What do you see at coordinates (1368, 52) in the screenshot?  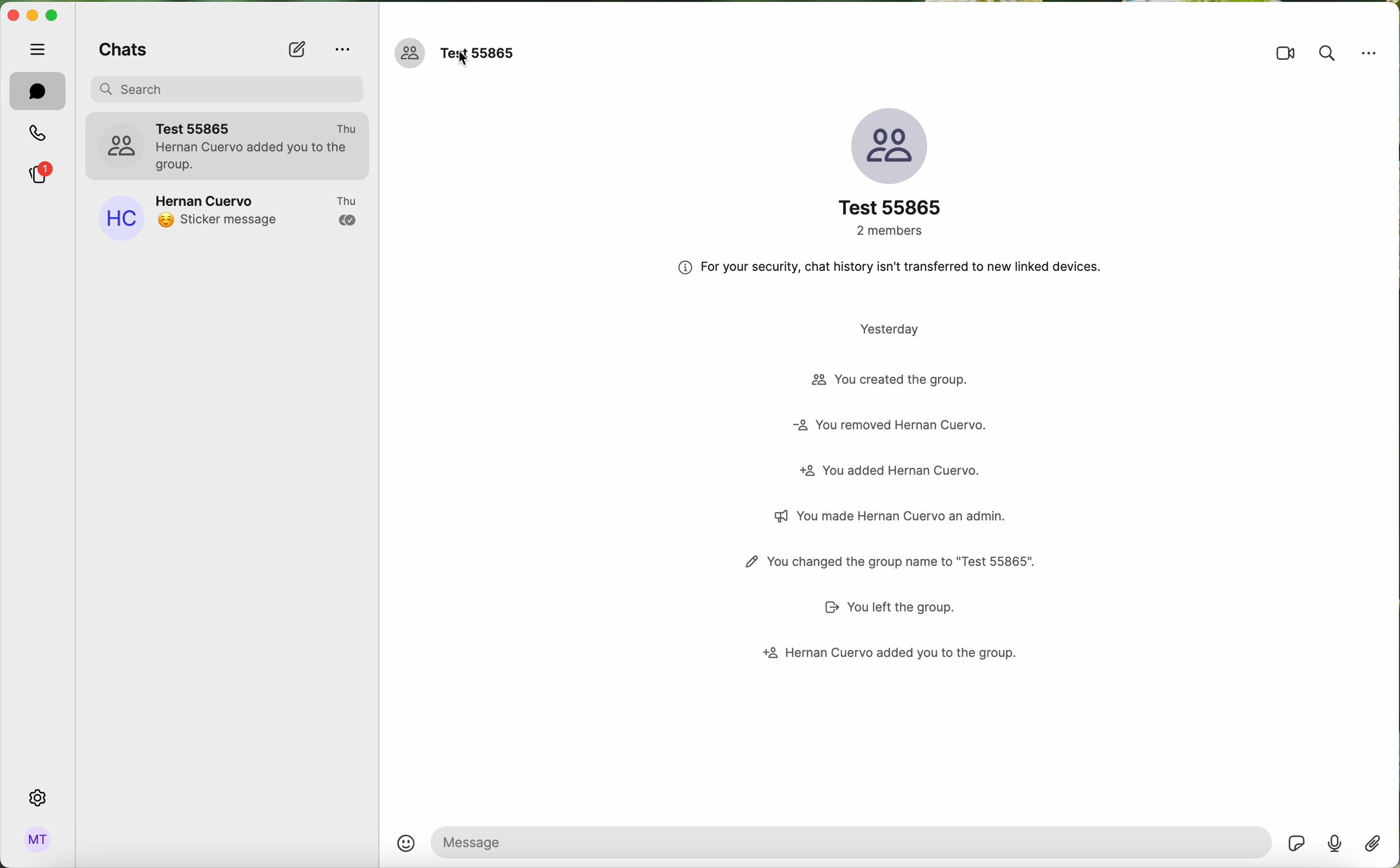 I see `options` at bounding box center [1368, 52].